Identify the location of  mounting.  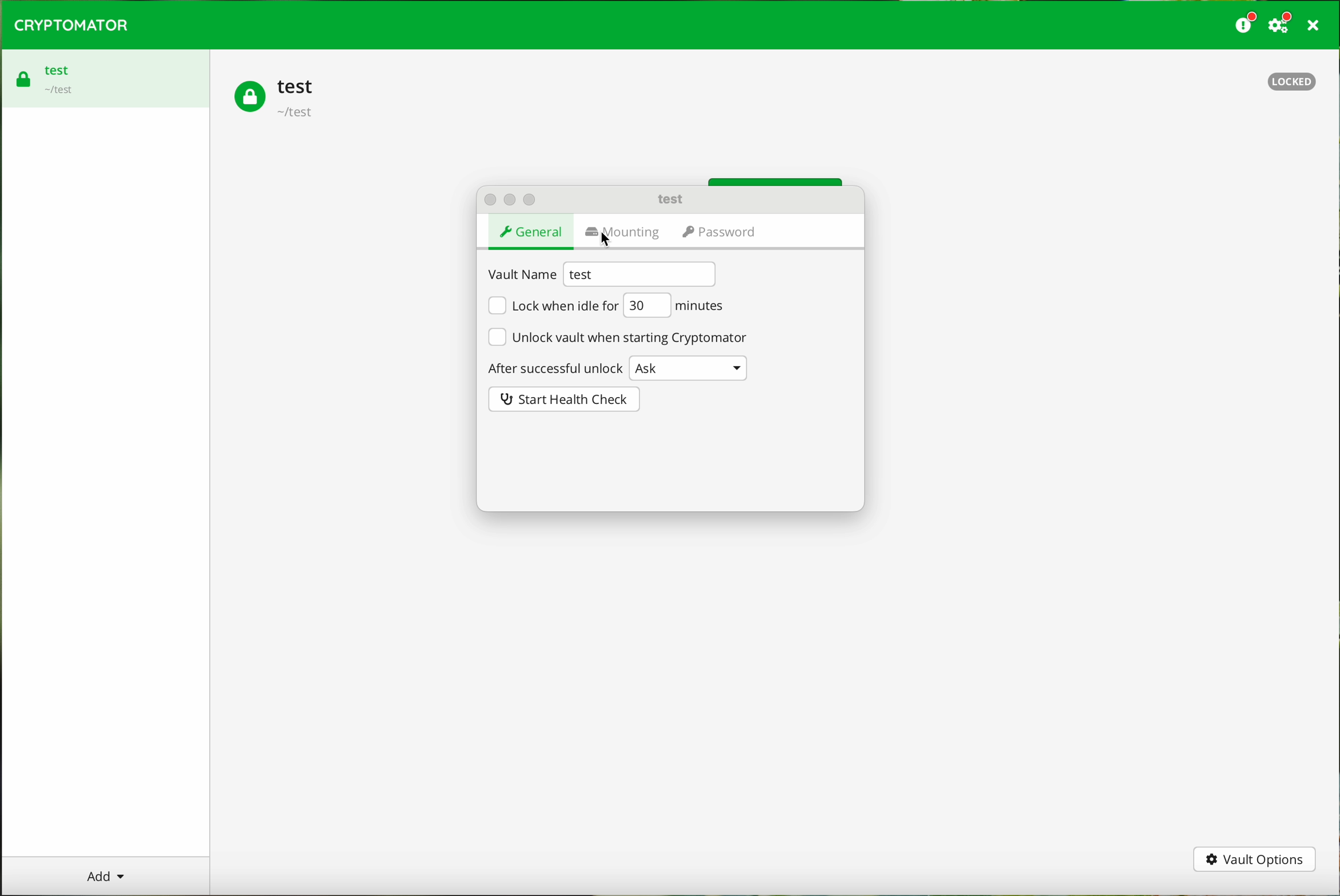
(622, 236).